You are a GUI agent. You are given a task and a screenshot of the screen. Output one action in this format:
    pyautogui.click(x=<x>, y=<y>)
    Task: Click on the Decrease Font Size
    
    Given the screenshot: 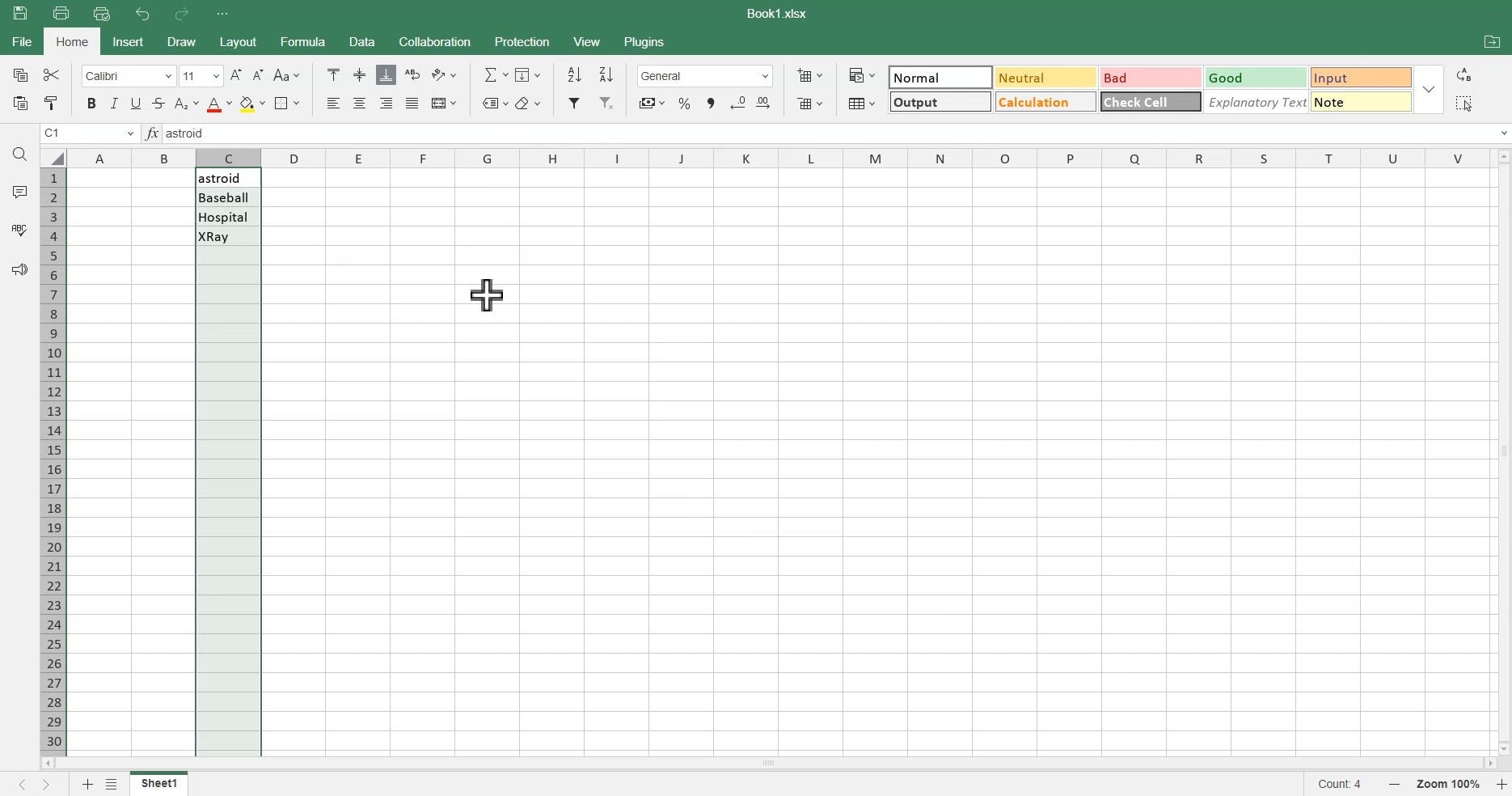 What is the action you would take?
    pyautogui.click(x=258, y=75)
    